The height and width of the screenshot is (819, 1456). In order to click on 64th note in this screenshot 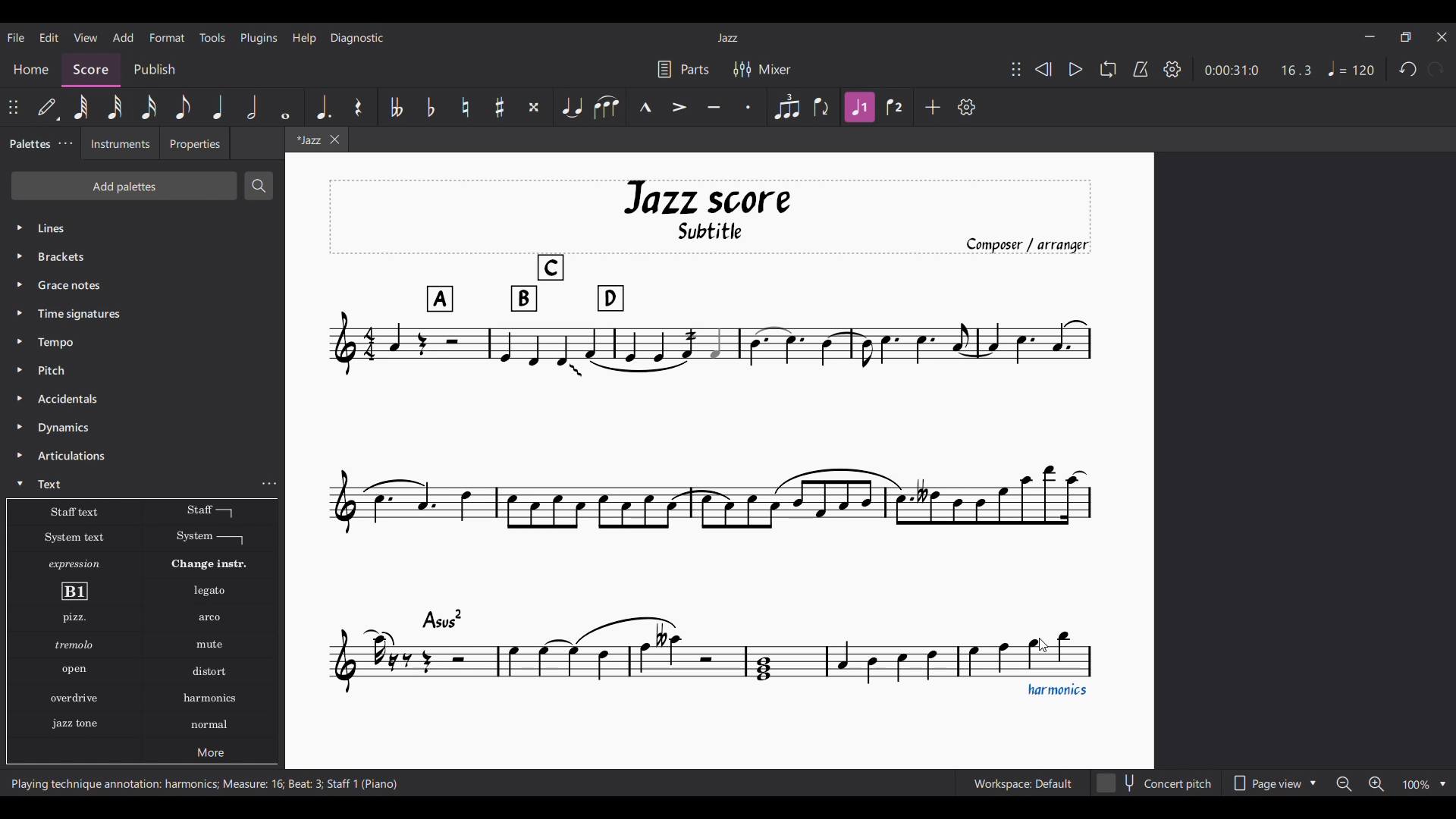, I will do `click(80, 107)`.